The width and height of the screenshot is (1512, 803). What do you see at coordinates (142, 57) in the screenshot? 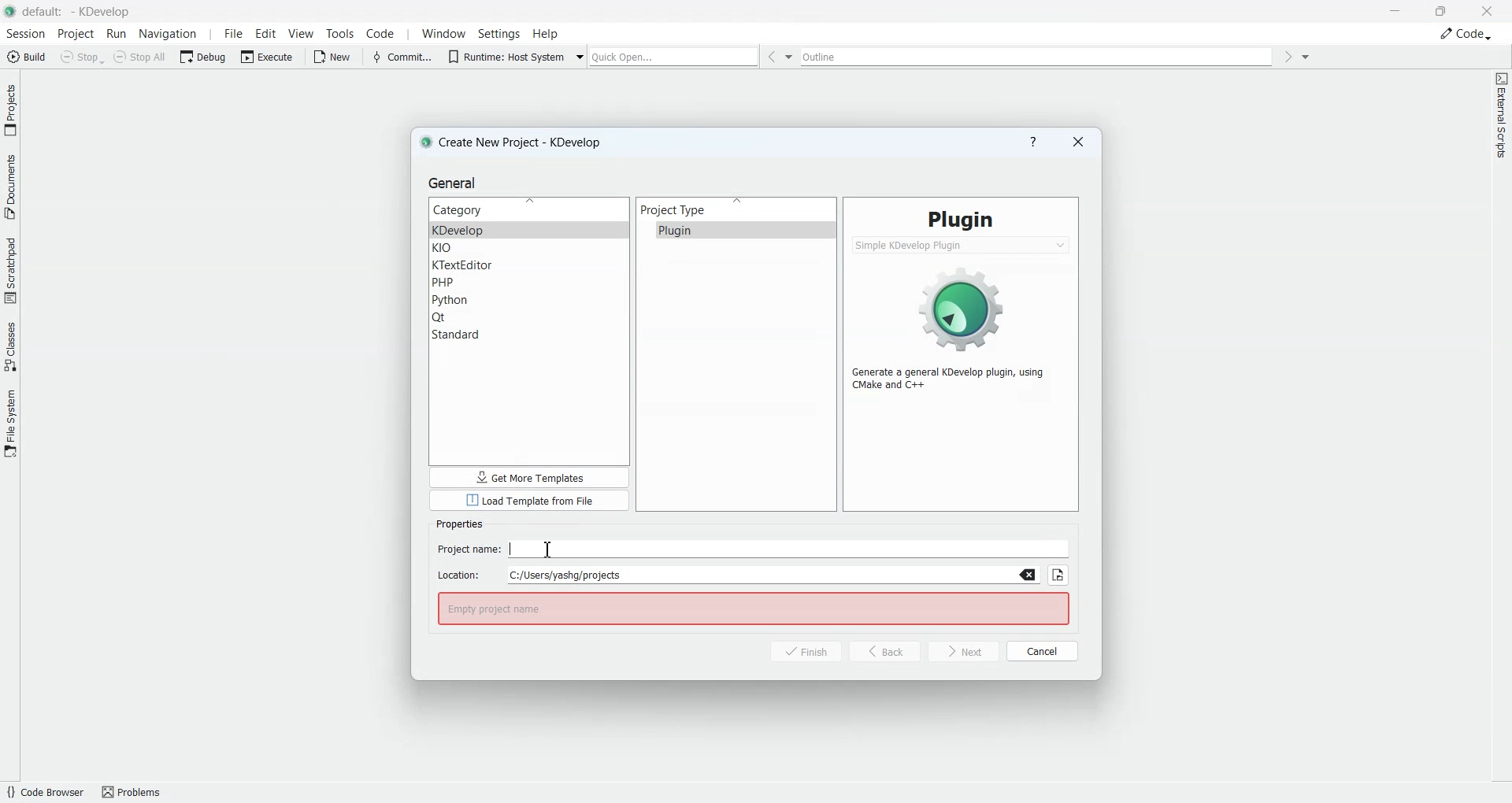
I see `Stop All` at bounding box center [142, 57].